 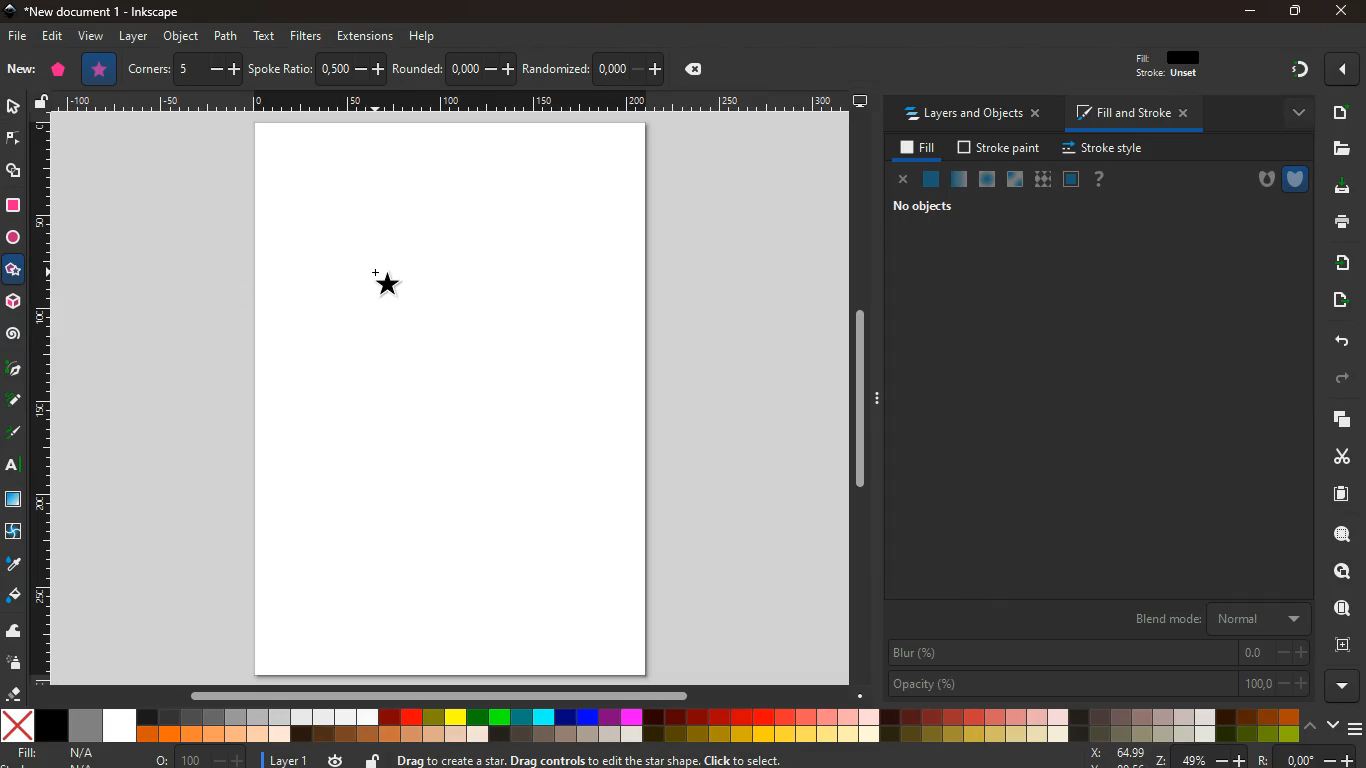 I want to click on spray, so click(x=14, y=662).